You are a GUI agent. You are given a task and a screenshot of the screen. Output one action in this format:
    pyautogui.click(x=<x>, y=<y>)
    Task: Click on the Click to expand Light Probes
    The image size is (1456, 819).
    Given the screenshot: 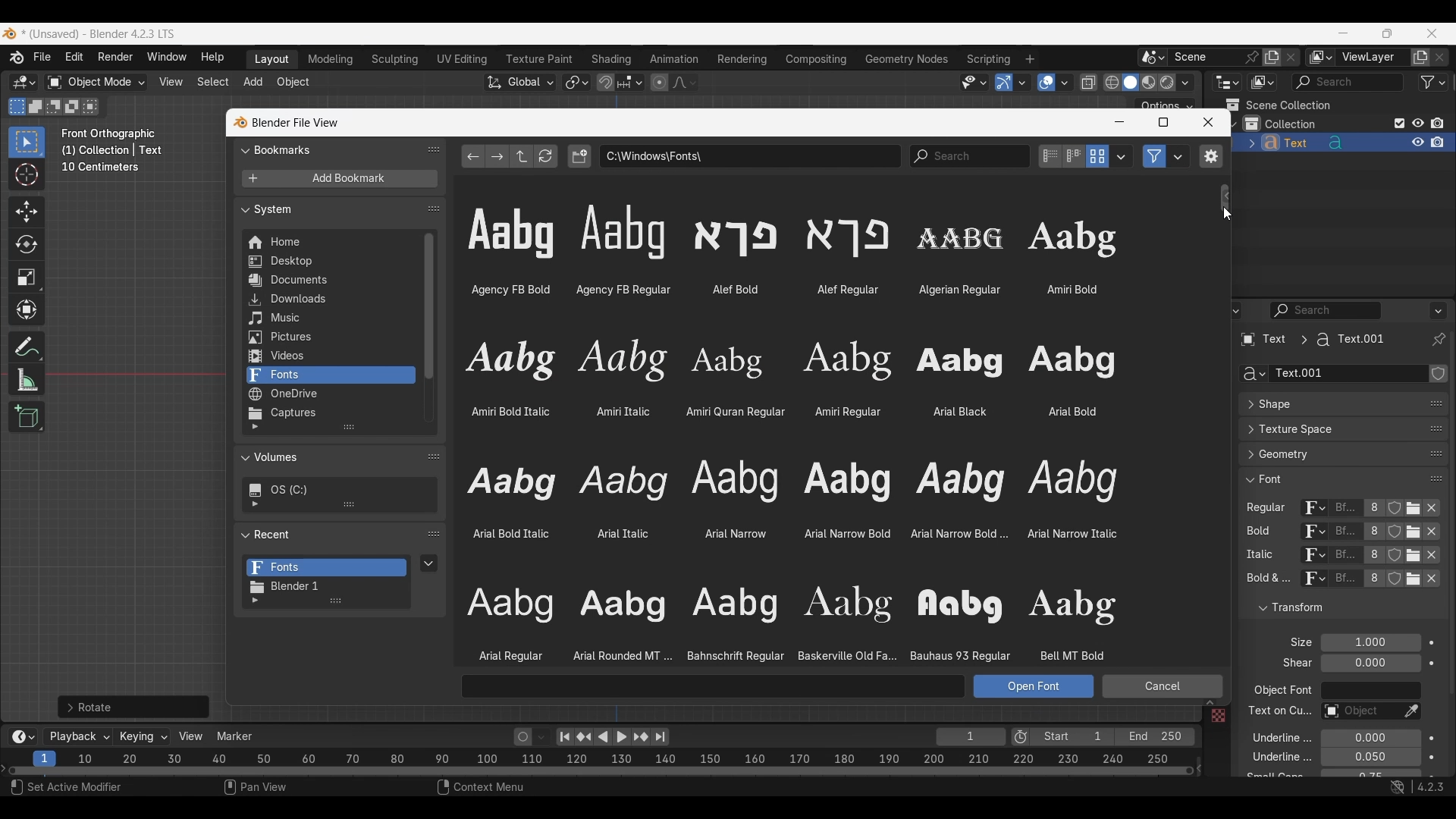 What is the action you would take?
    pyautogui.click(x=1291, y=642)
    